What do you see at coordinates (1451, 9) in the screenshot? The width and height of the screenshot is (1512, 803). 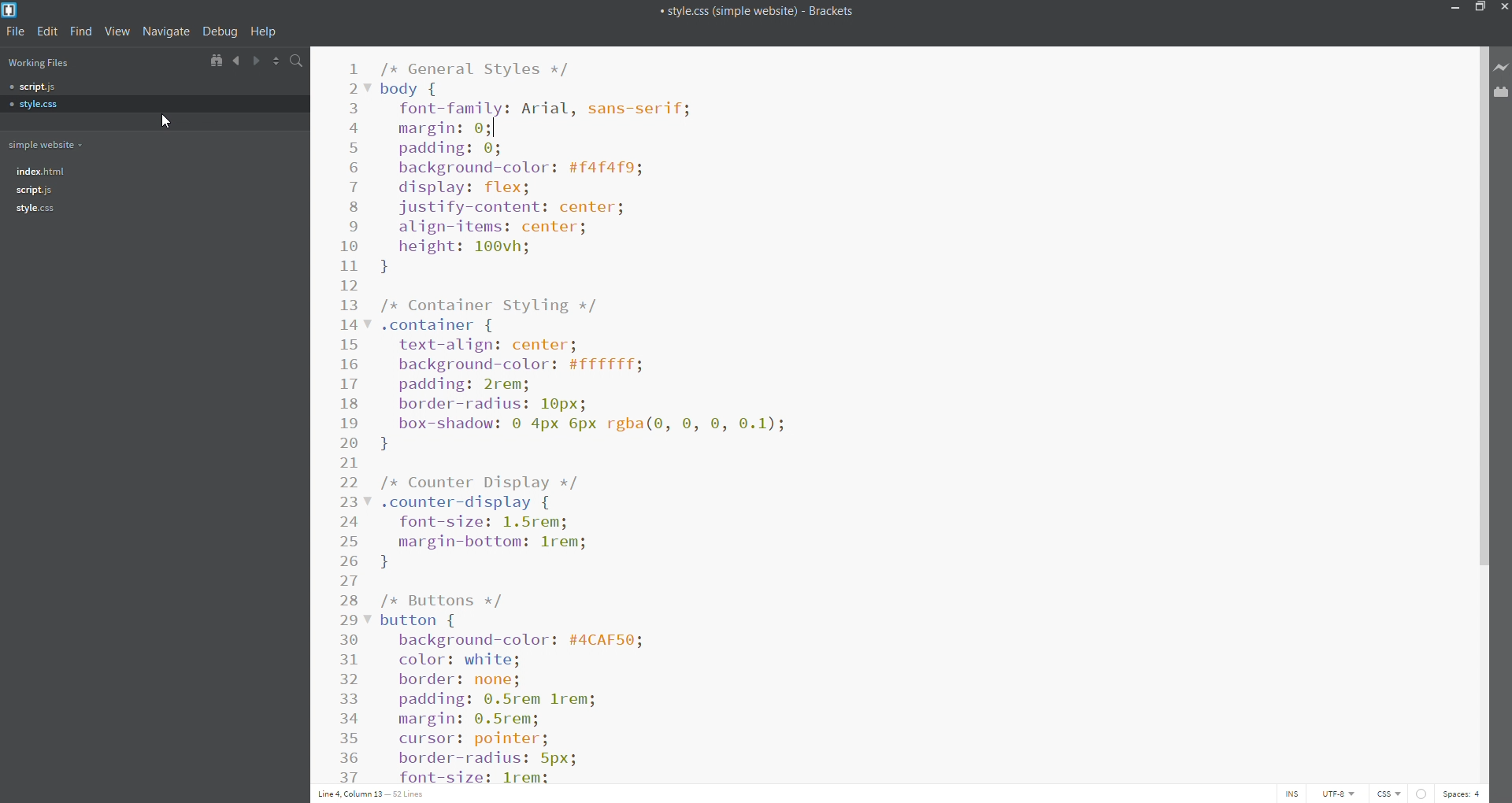 I see `minimize` at bounding box center [1451, 9].